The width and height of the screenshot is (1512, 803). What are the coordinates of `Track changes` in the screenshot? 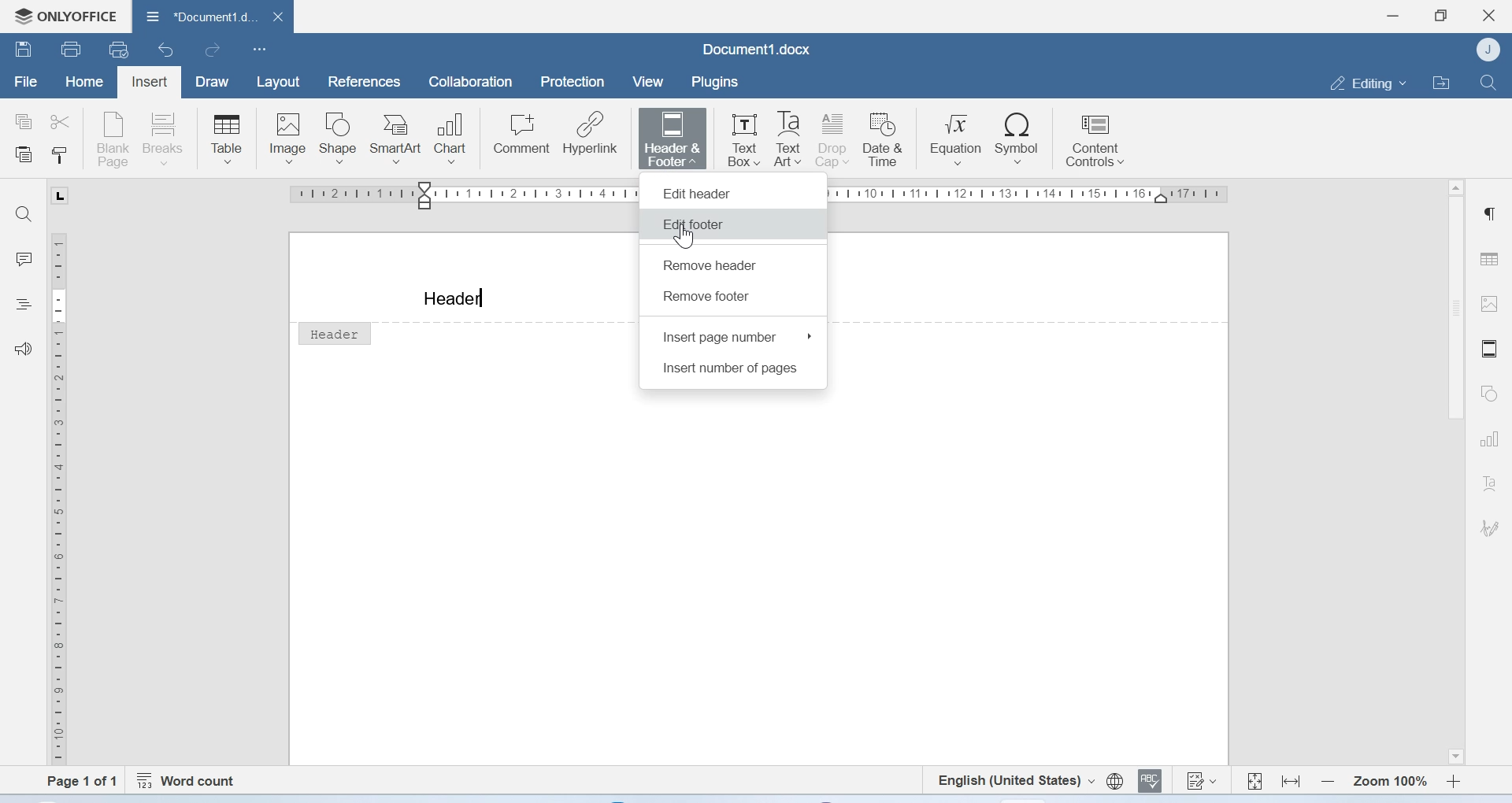 It's located at (1203, 783).